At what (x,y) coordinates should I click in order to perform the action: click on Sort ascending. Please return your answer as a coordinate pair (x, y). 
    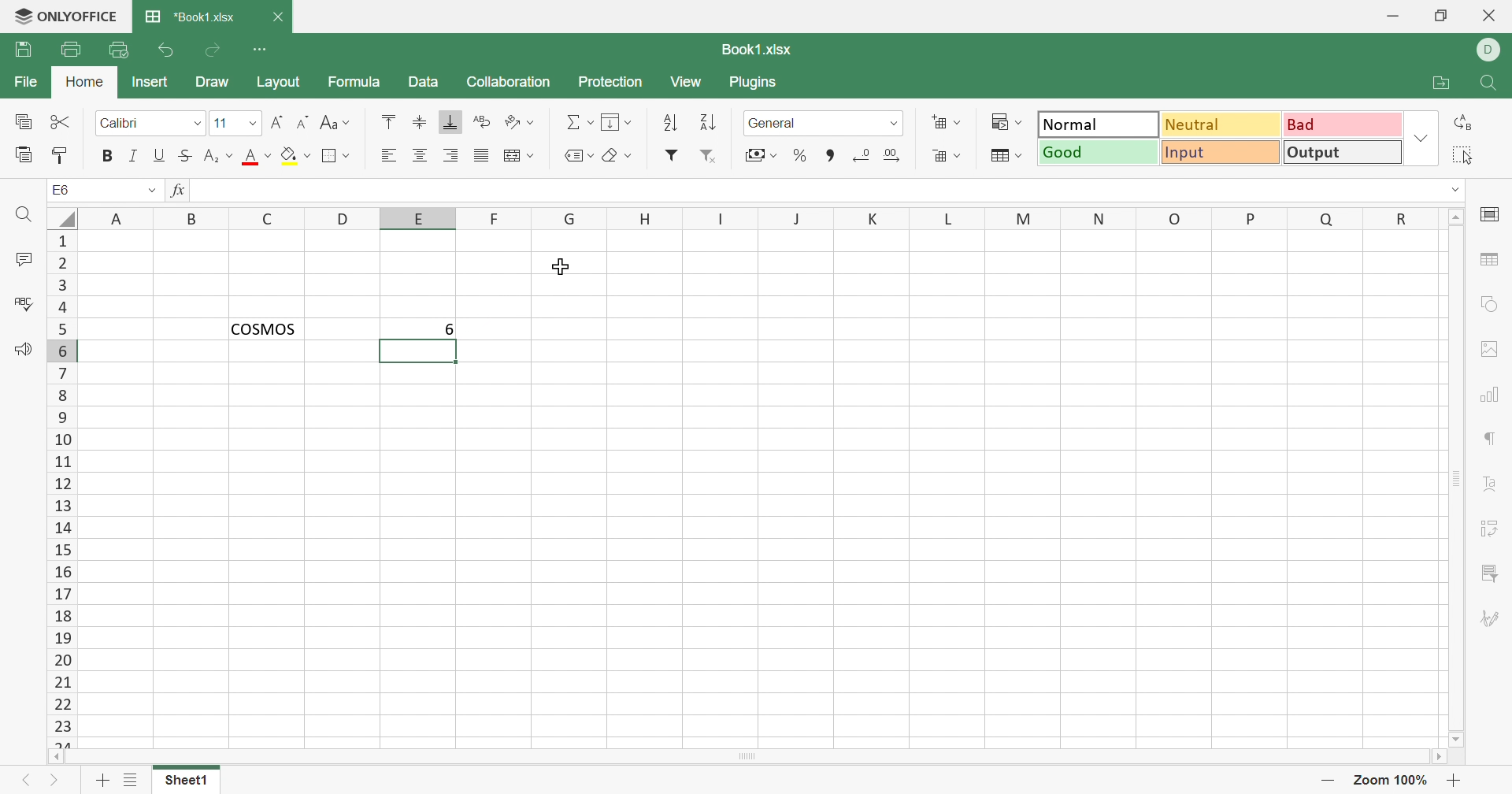
    Looking at the image, I should click on (671, 124).